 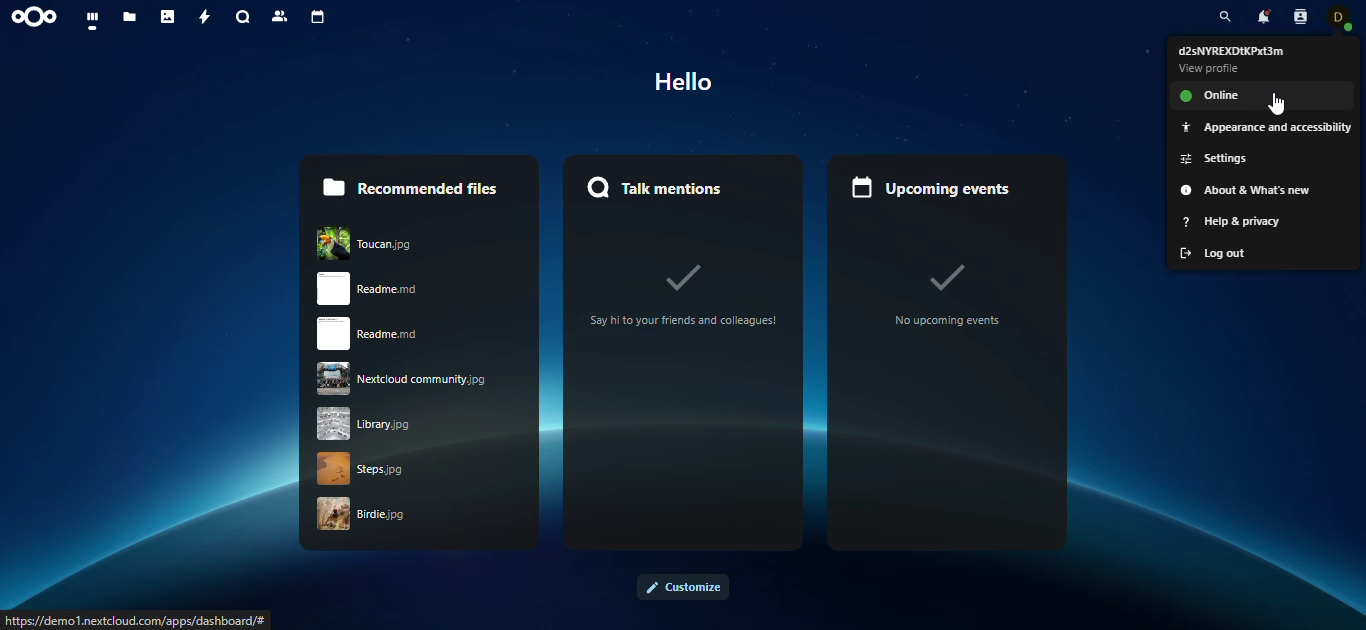 I want to click on customize, so click(x=682, y=588).